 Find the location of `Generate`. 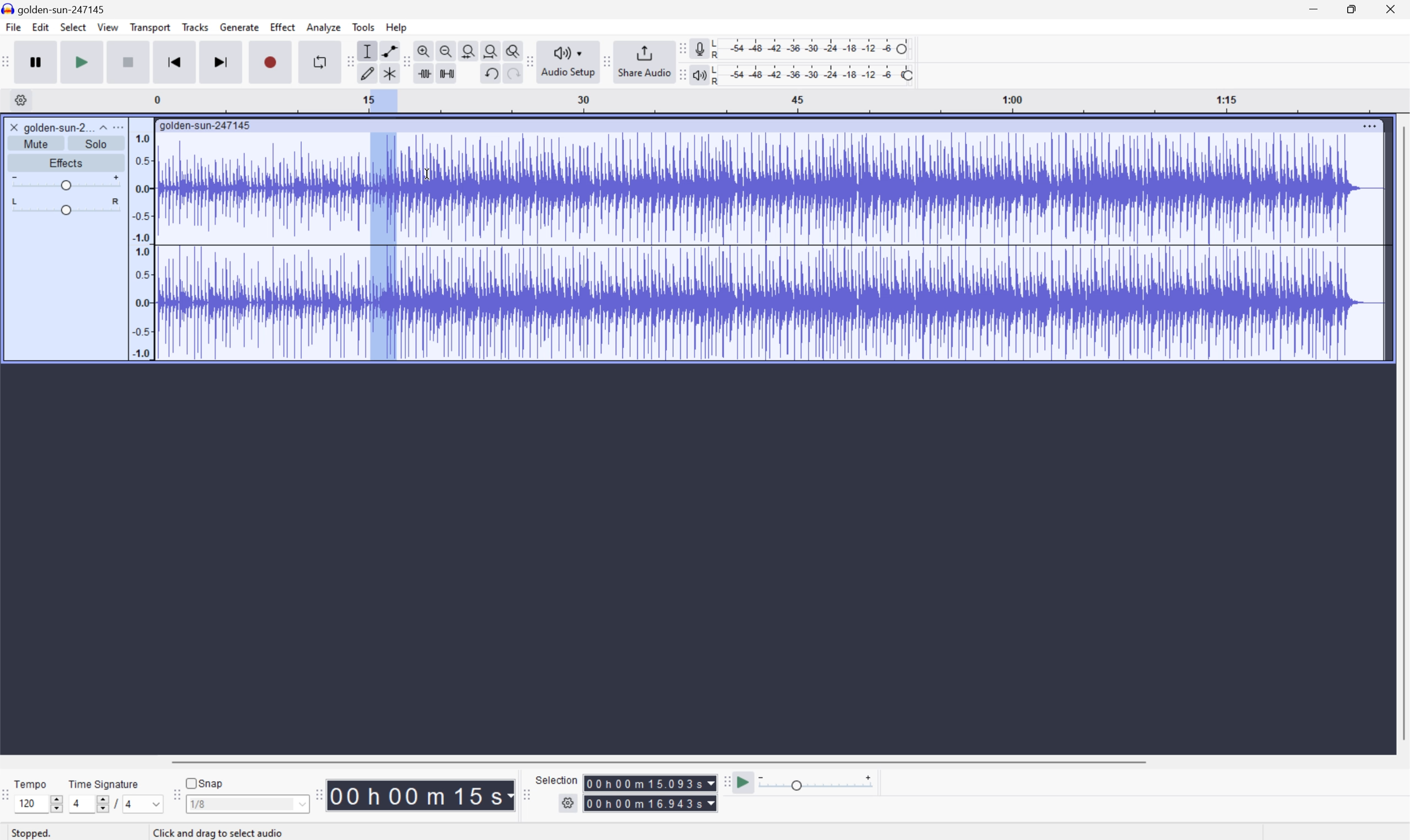

Generate is located at coordinates (241, 27).